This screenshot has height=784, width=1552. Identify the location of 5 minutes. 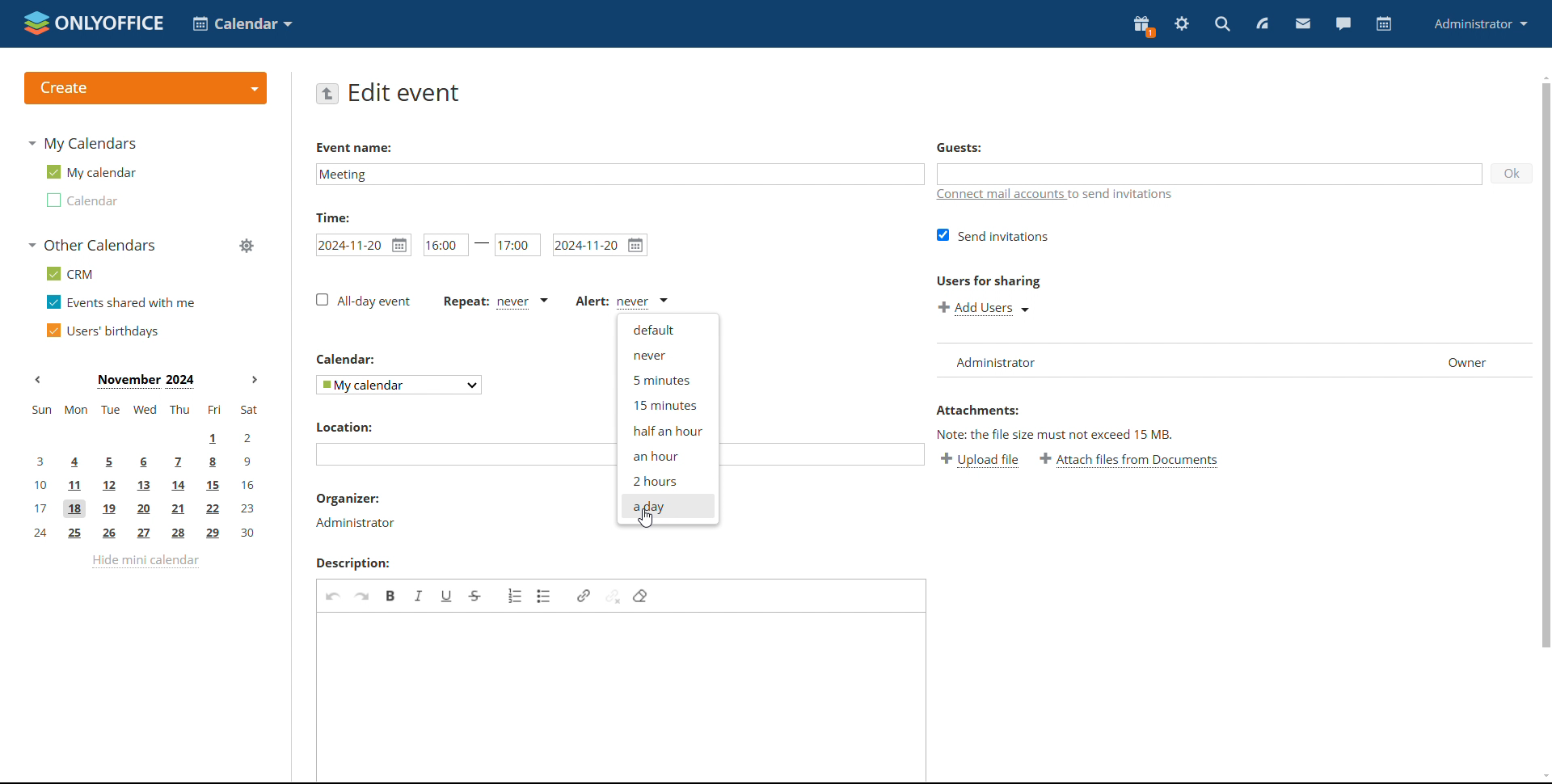
(668, 379).